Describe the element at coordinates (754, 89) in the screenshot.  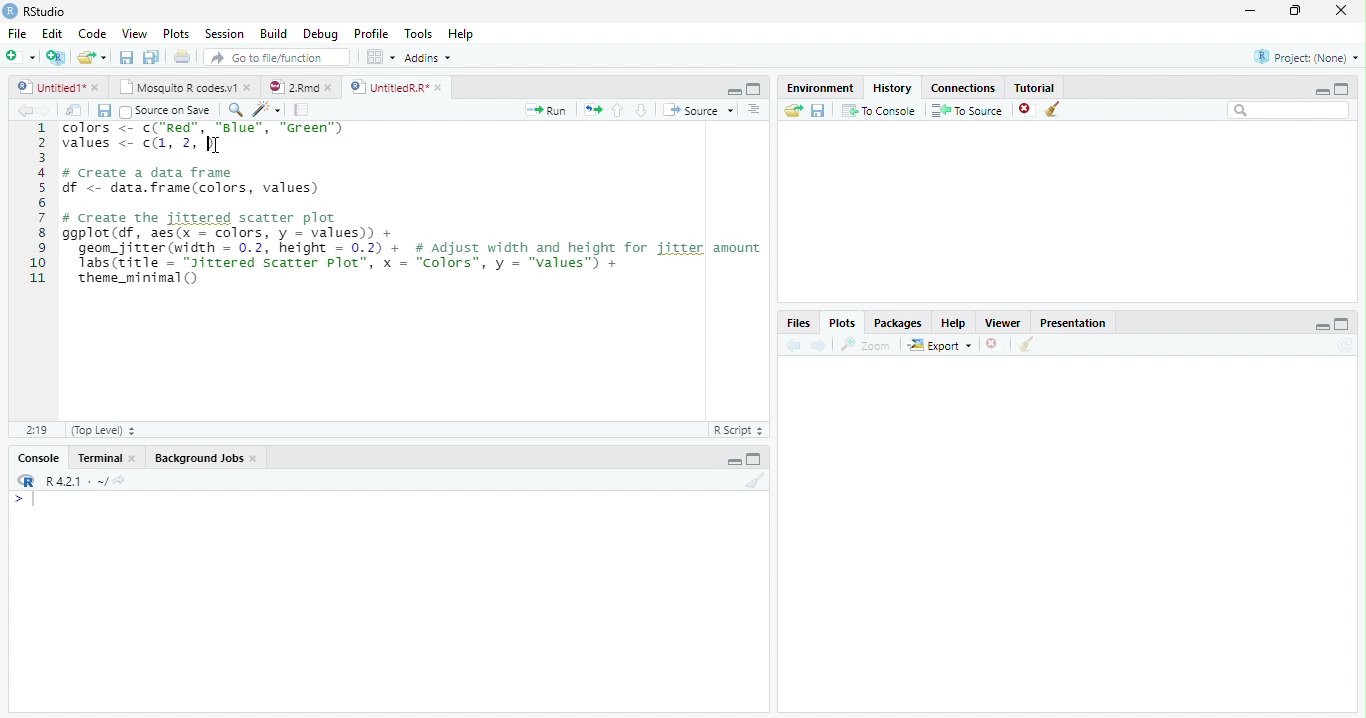
I see `Maximize` at that location.